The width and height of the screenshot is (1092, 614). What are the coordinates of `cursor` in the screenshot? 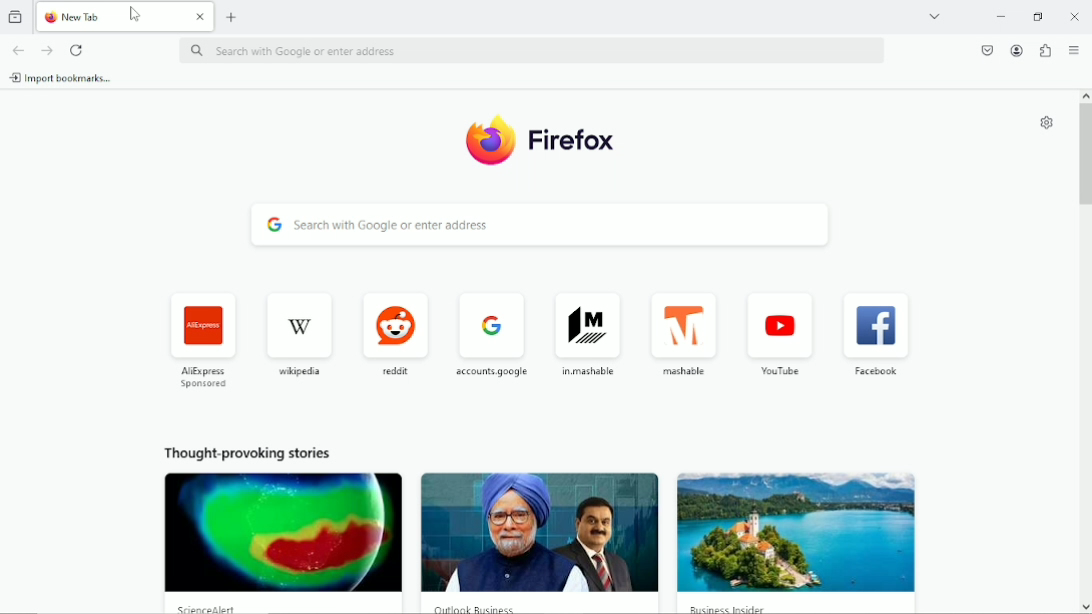 It's located at (137, 16).